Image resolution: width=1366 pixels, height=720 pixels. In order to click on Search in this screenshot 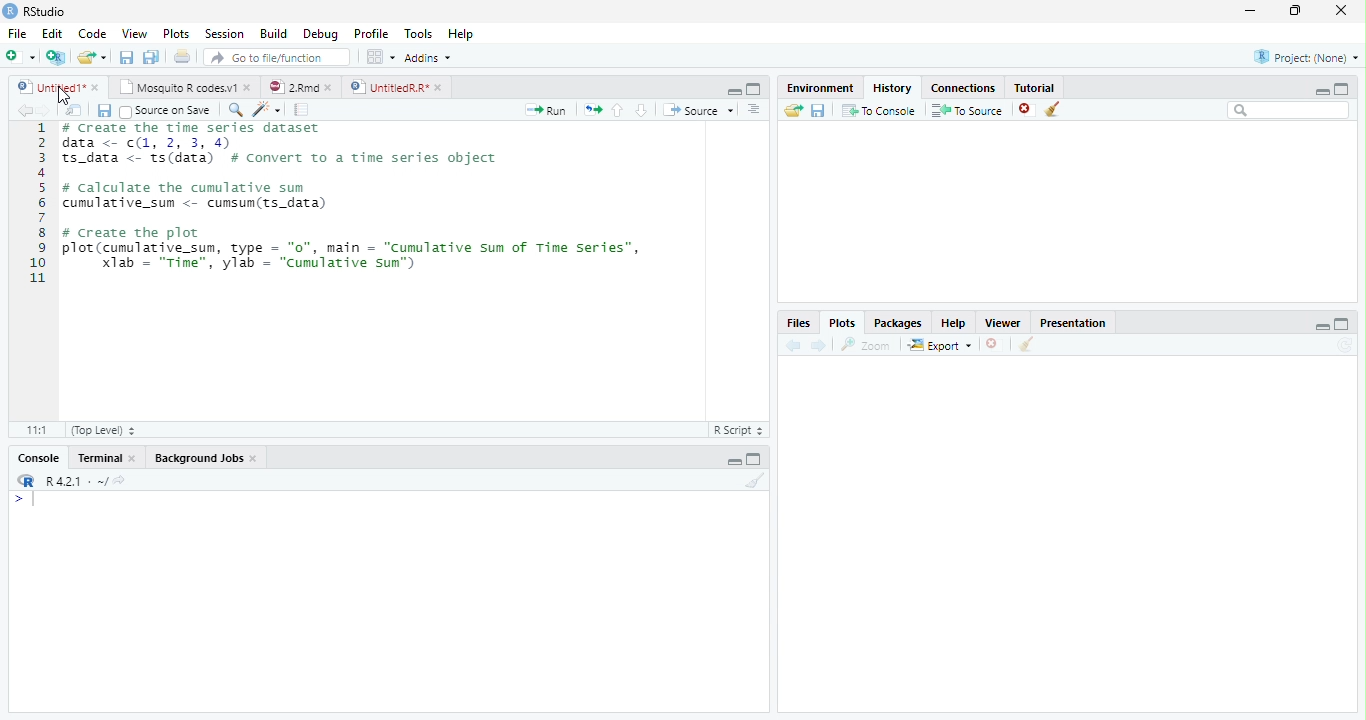, I will do `click(1287, 111)`.